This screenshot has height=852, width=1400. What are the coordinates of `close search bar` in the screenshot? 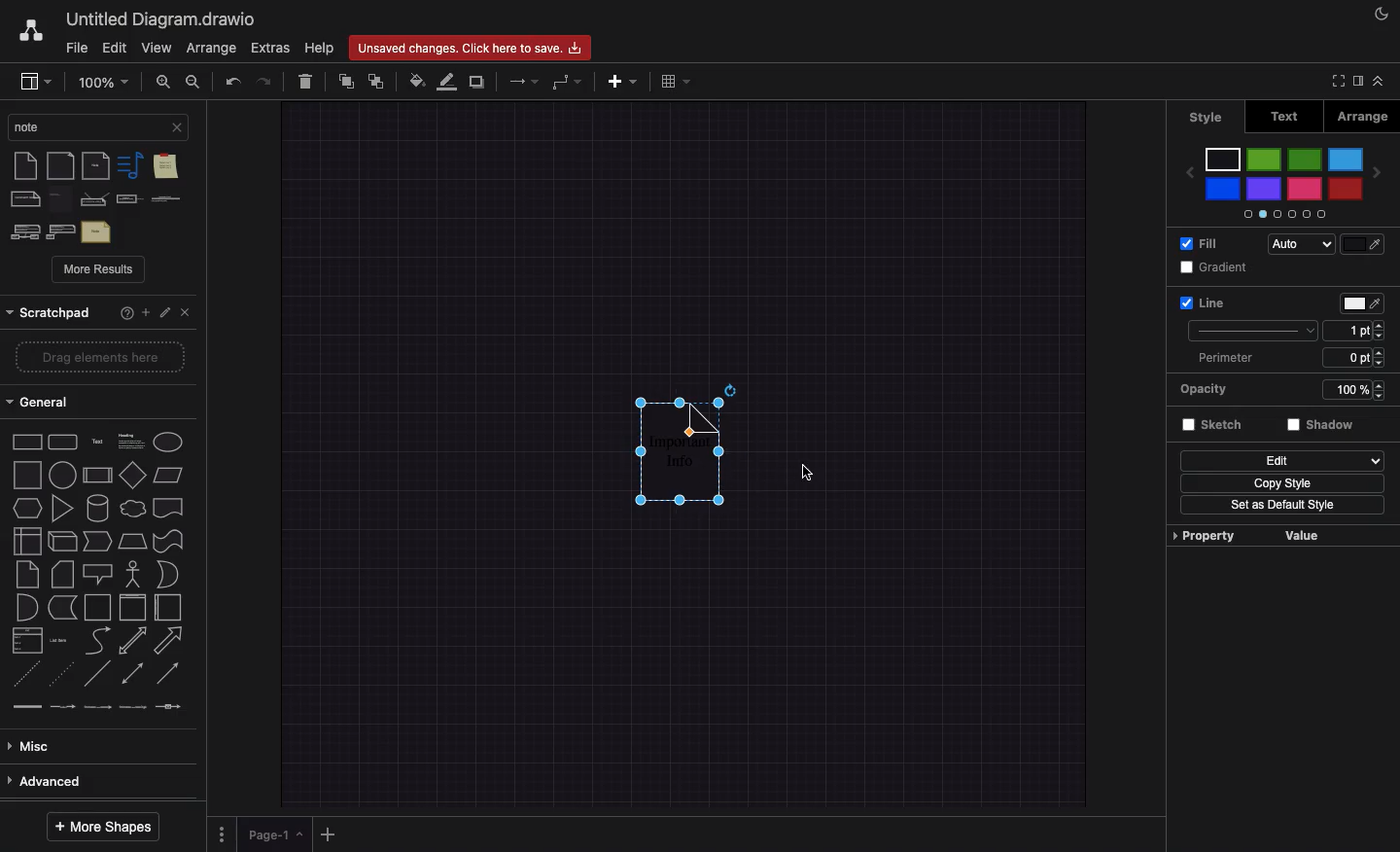 It's located at (177, 126).